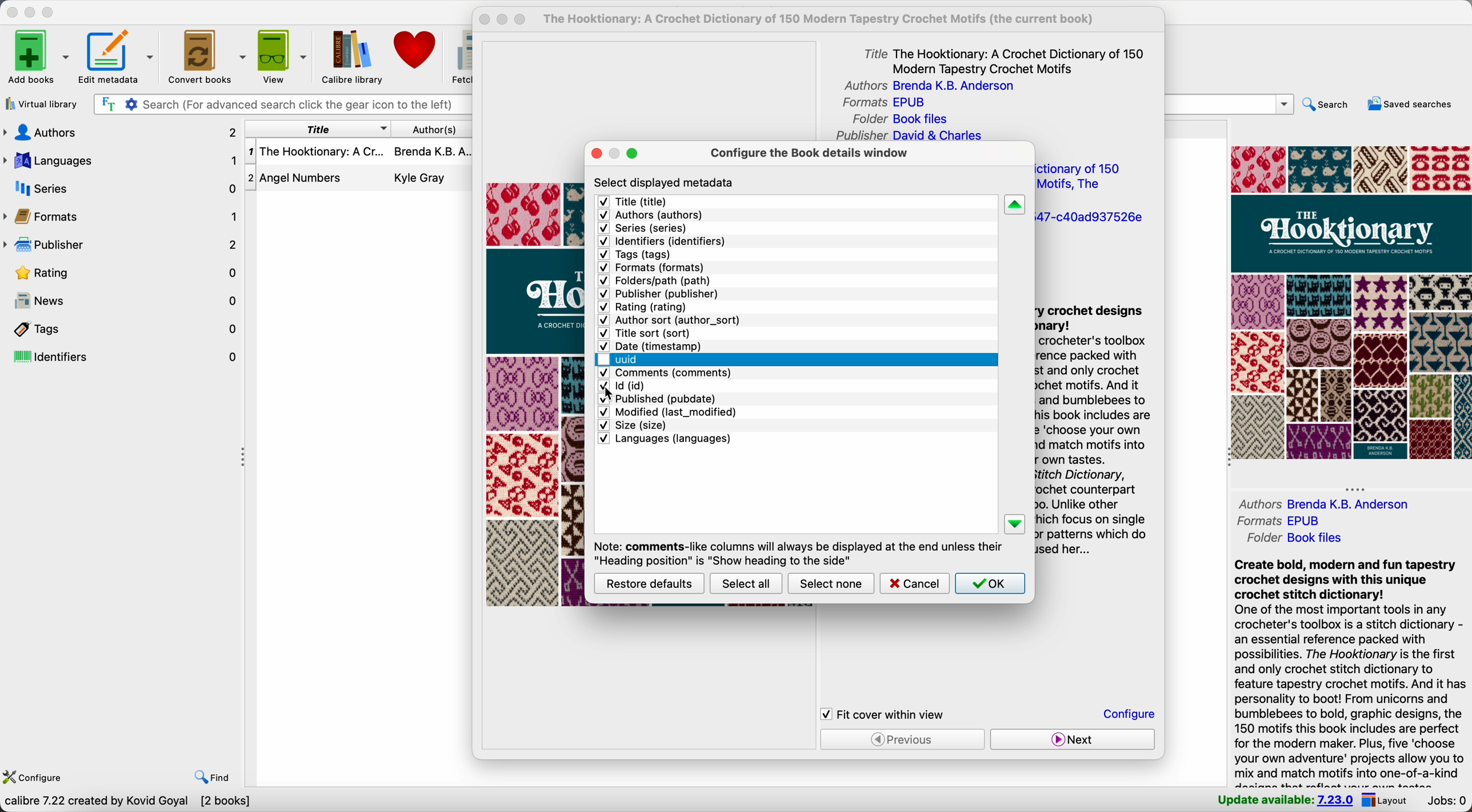 The image size is (1472, 812). What do you see at coordinates (1094, 433) in the screenshot?
I see `synopsis` at bounding box center [1094, 433].